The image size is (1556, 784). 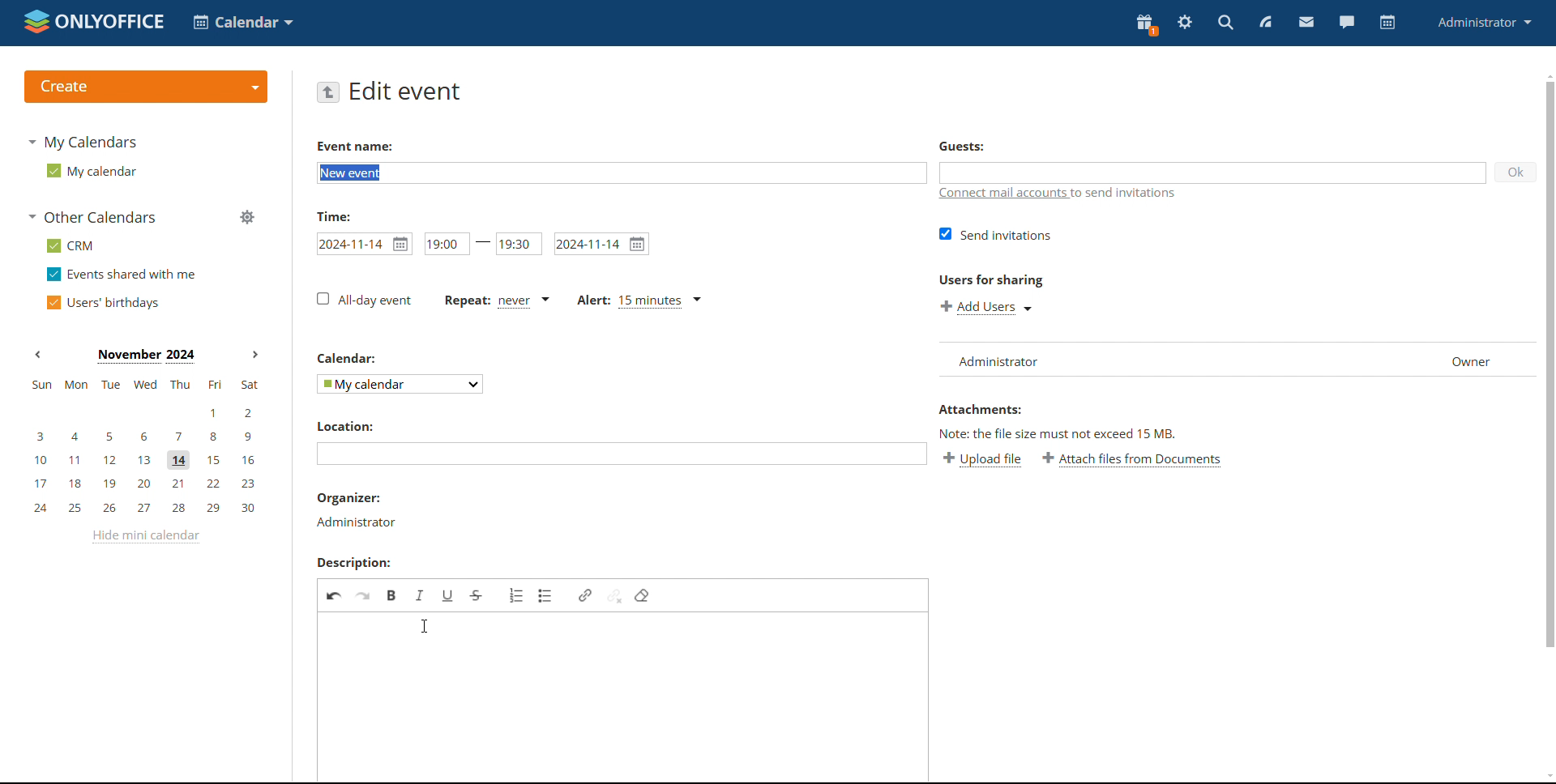 What do you see at coordinates (363, 300) in the screenshot?
I see `all-day event checkbox` at bounding box center [363, 300].